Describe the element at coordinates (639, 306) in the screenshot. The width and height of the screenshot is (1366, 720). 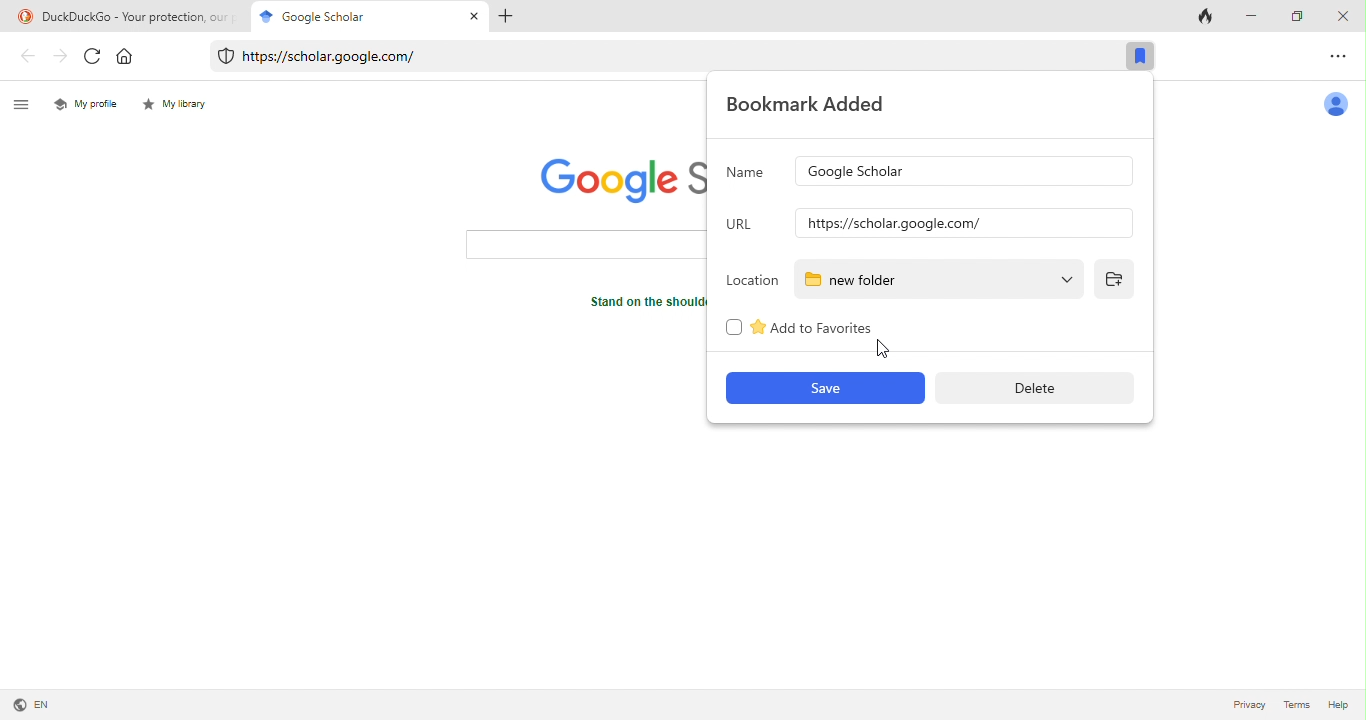
I see `text` at that location.